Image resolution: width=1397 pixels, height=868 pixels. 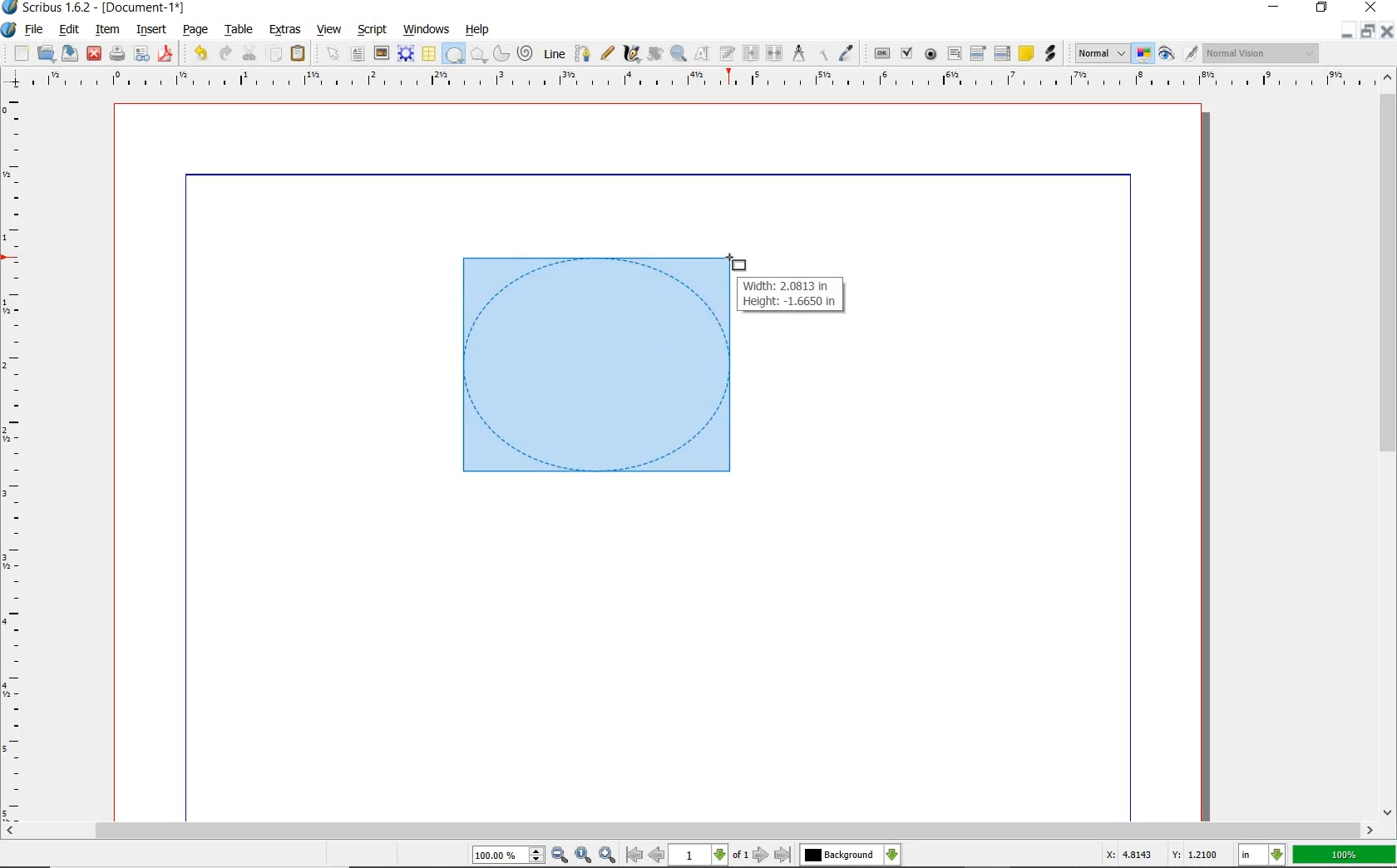 What do you see at coordinates (333, 55) in the screenshot?
I see `SELECT` at bounding box center [333, 55].